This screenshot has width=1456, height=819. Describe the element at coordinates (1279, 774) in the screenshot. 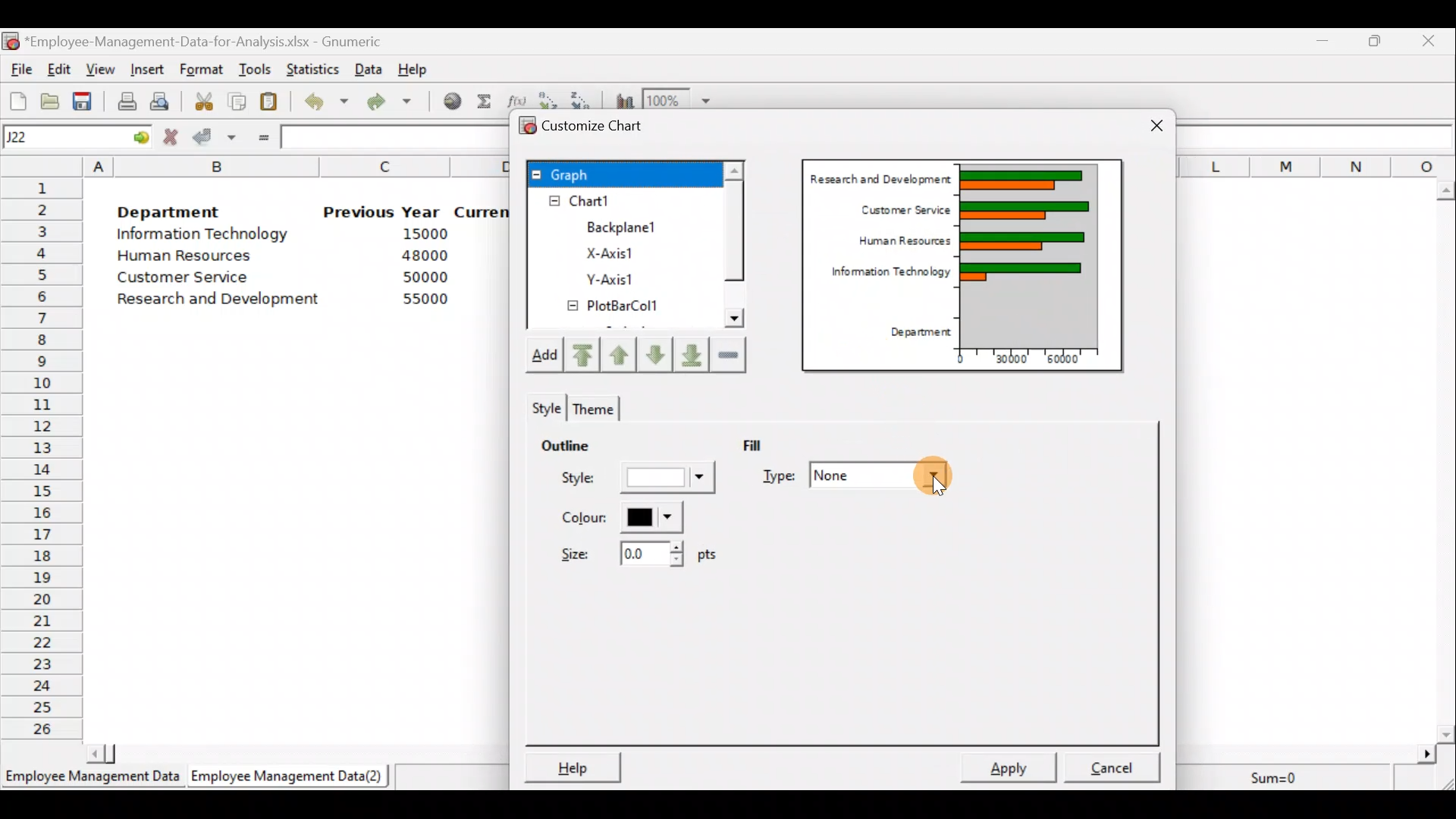

I see `Sum=0` at that location.